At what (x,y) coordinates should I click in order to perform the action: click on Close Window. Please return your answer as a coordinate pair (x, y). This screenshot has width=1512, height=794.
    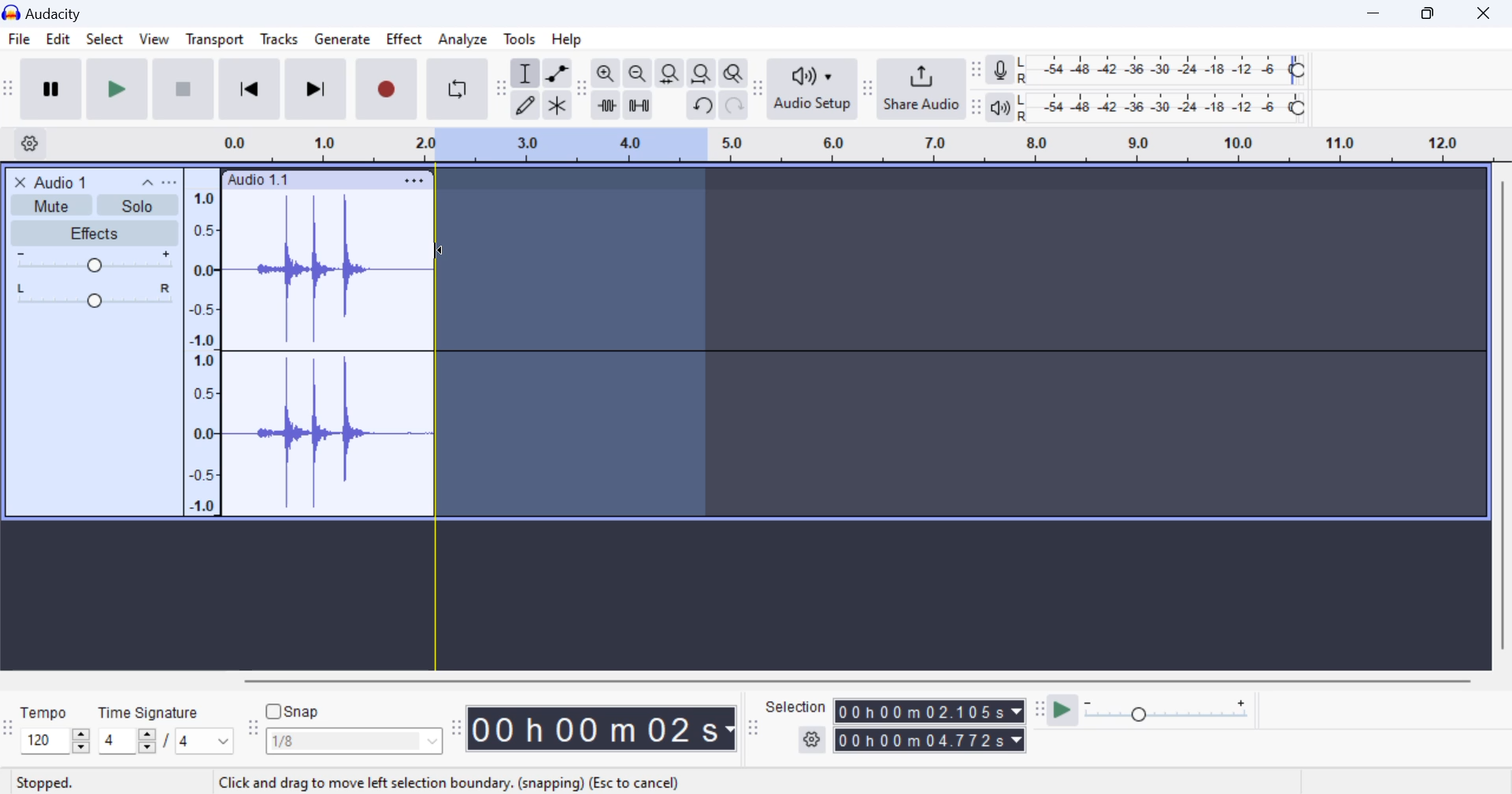
    Looking at the image, I should click on (1488, 11).